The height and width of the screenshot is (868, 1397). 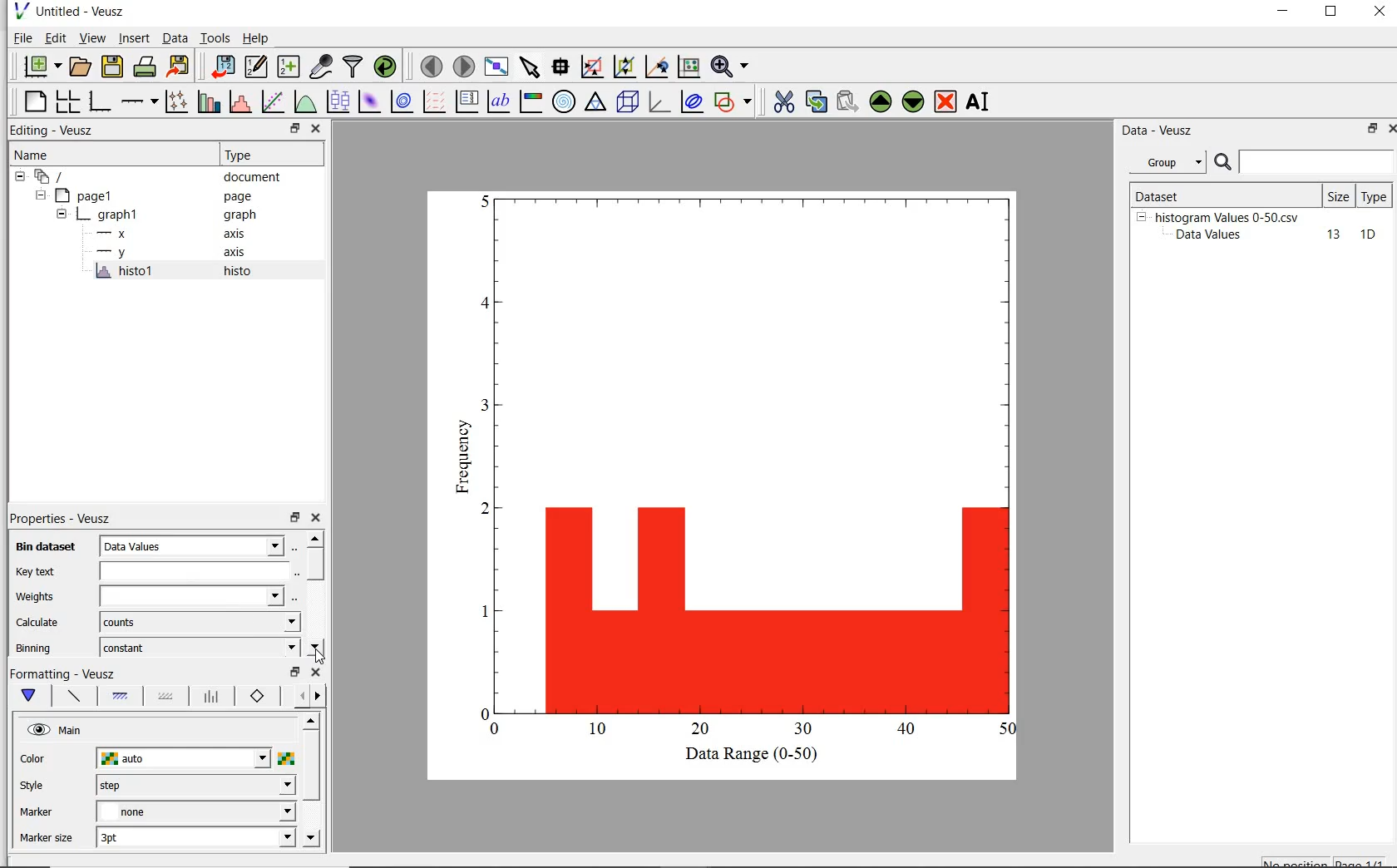 What do you see at coordinates (311, 839) in the screenshot?
I see `move down` at bounding box center [311, 839].